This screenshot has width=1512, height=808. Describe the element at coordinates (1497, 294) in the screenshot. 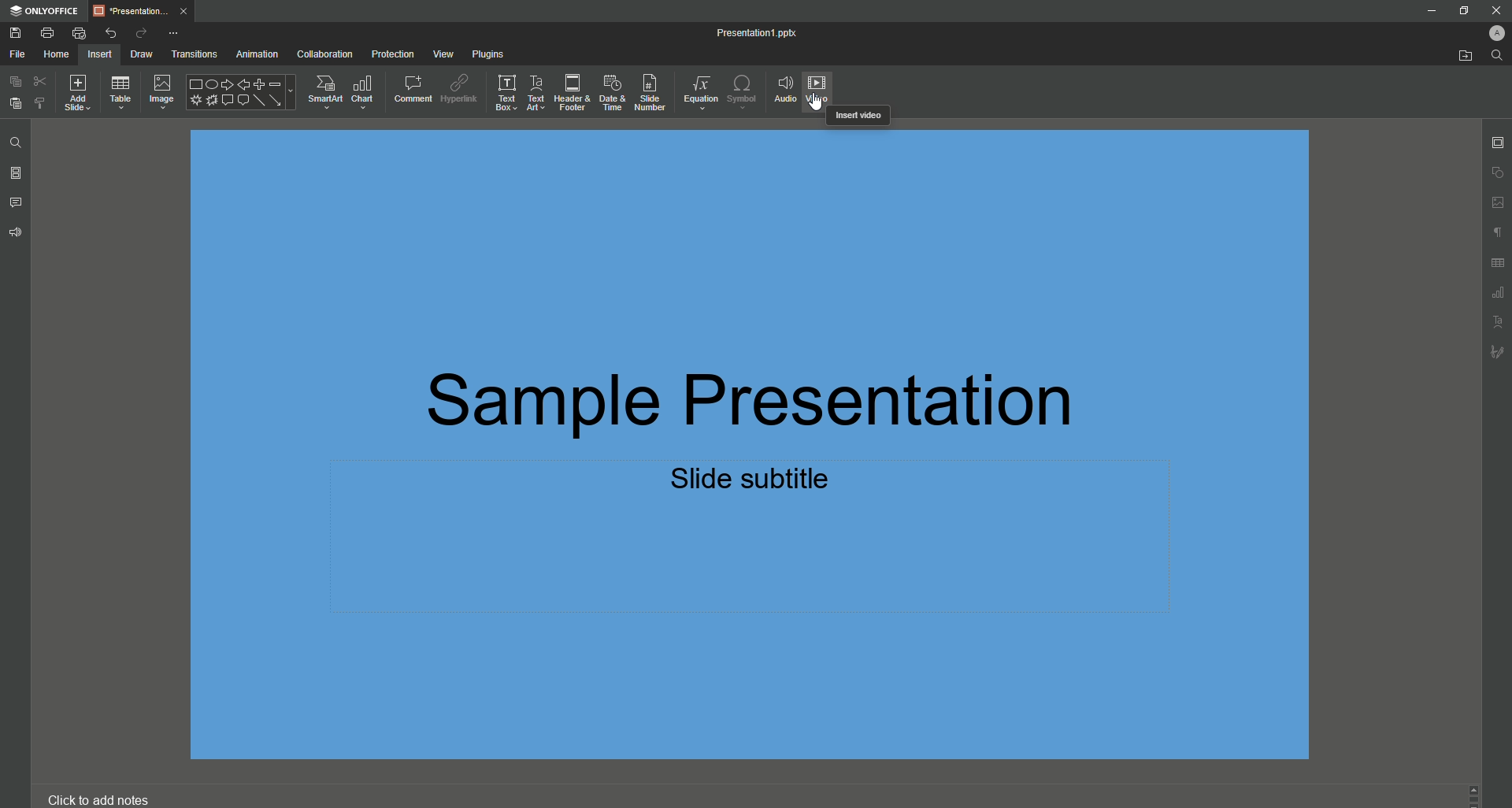

I see `Chart Settings` at that location.